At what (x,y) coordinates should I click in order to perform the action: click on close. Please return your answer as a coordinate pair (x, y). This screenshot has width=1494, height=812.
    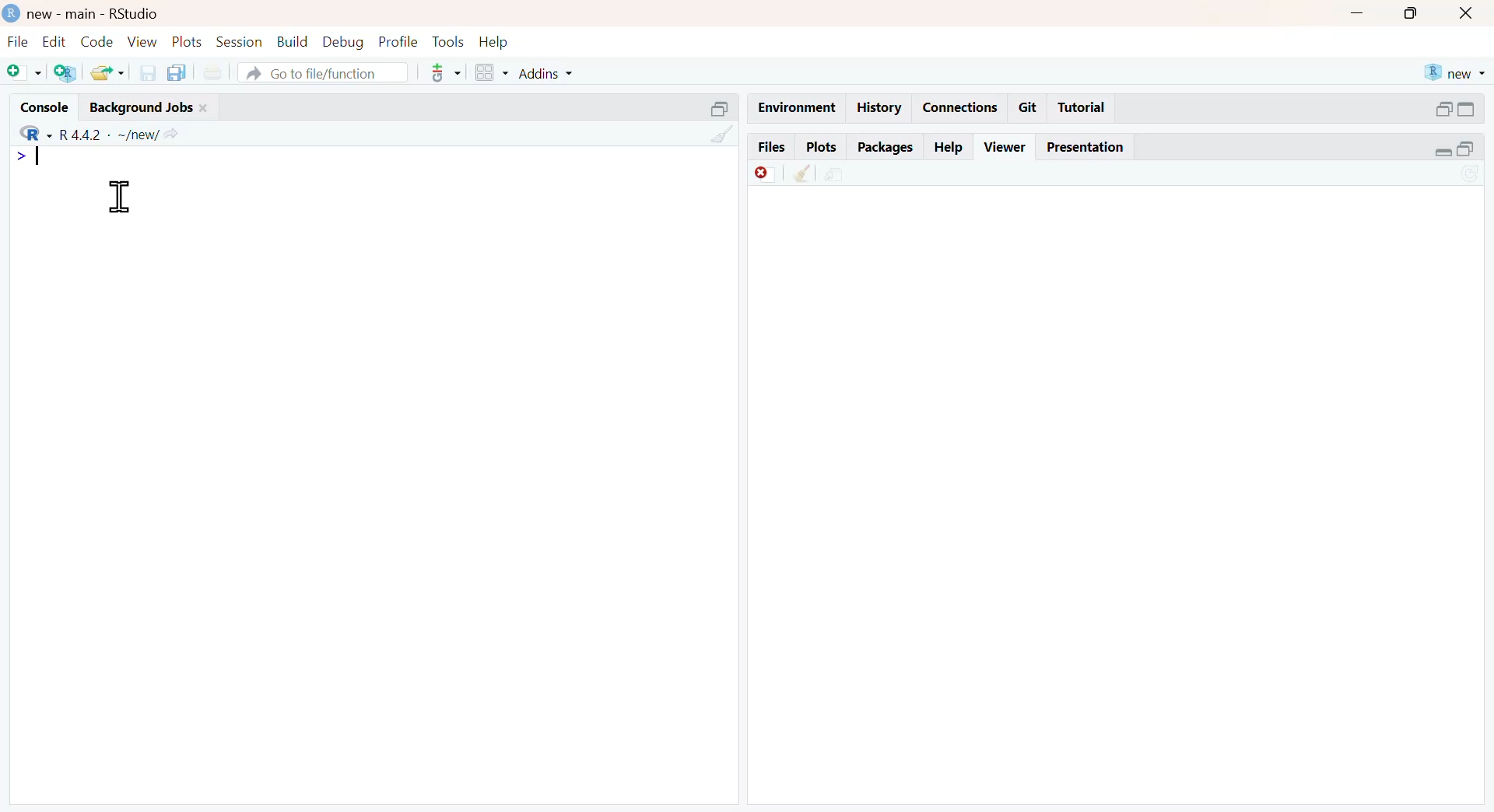
    Looking at the image, I should click on (1468, 13).